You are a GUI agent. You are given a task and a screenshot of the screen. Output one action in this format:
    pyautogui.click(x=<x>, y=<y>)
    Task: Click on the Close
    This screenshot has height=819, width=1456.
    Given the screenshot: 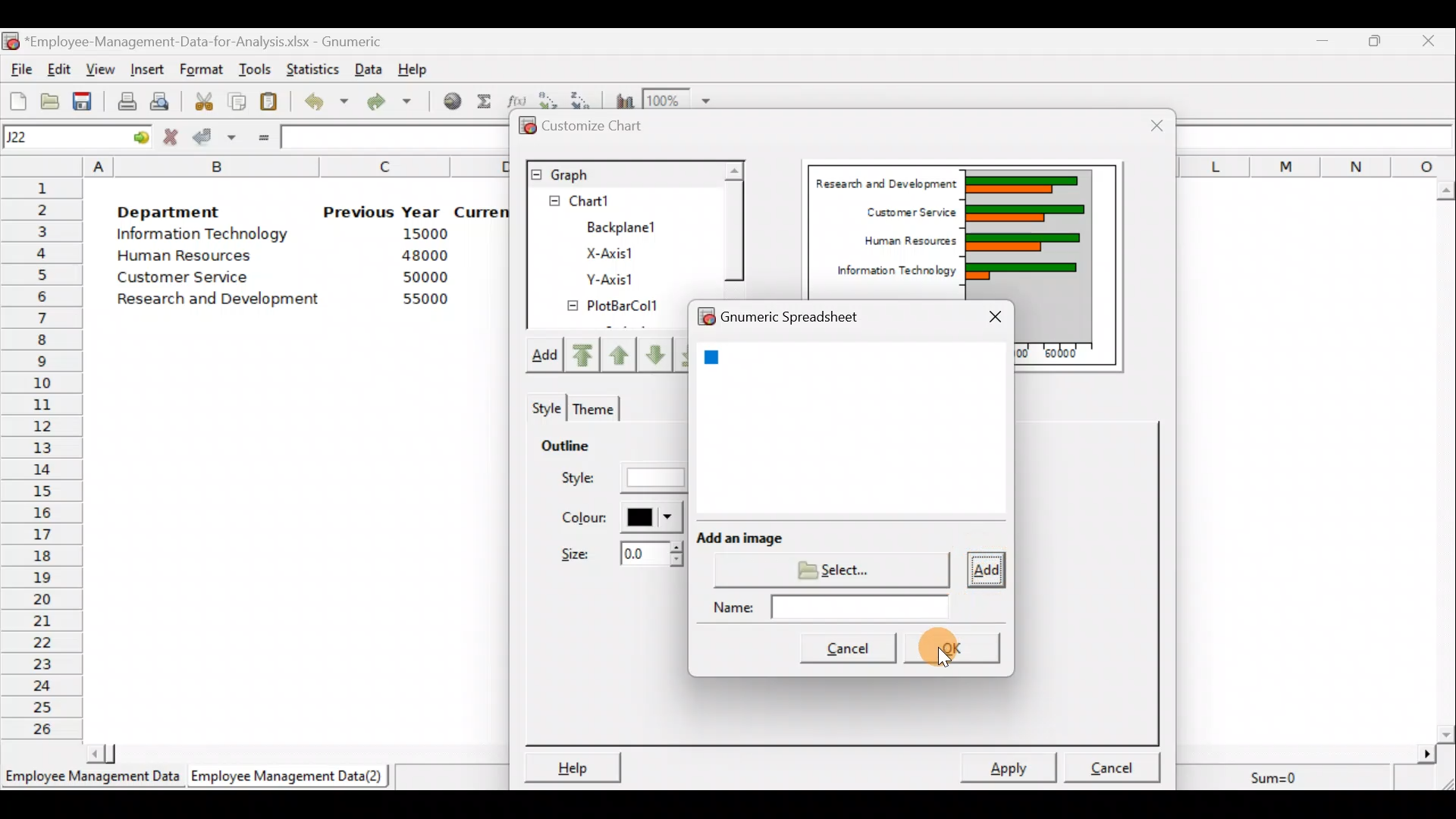 What is the action you would take?
    pyautogui.click(x=1432, y=40)
    